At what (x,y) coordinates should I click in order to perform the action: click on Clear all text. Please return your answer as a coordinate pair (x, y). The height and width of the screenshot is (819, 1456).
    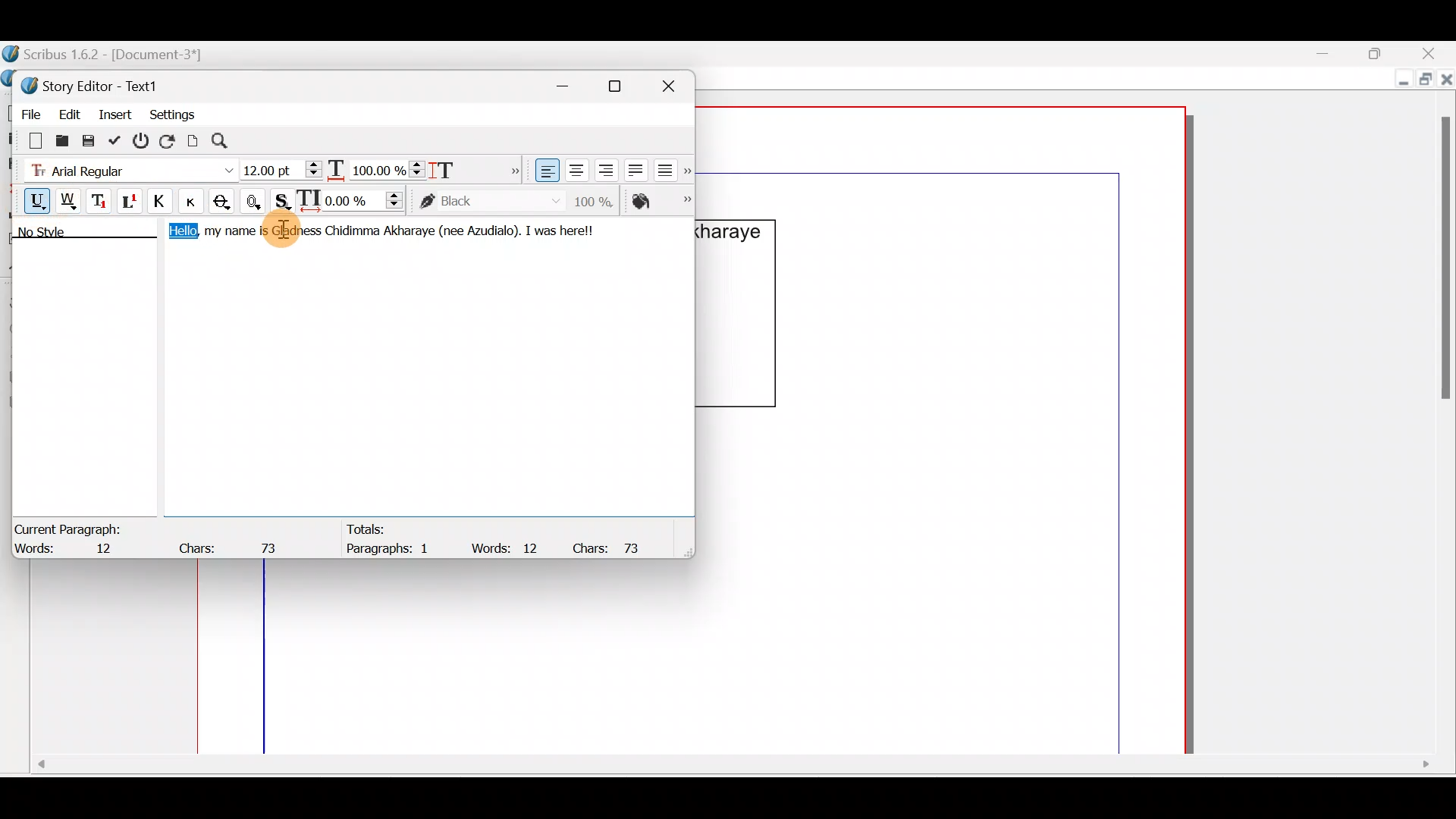
    Looking at the image, I should click on (28, 140).